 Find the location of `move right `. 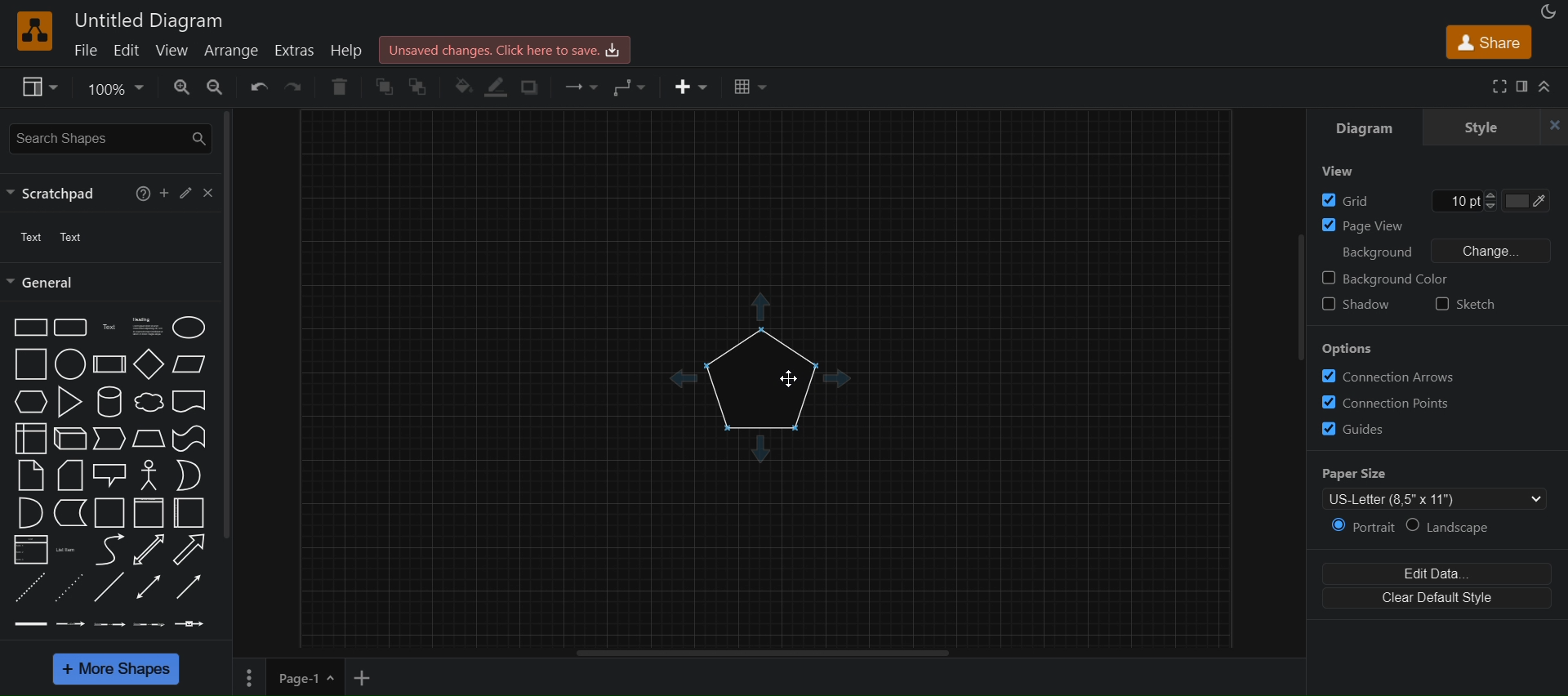

move right  is located at coordinates (842, 377).